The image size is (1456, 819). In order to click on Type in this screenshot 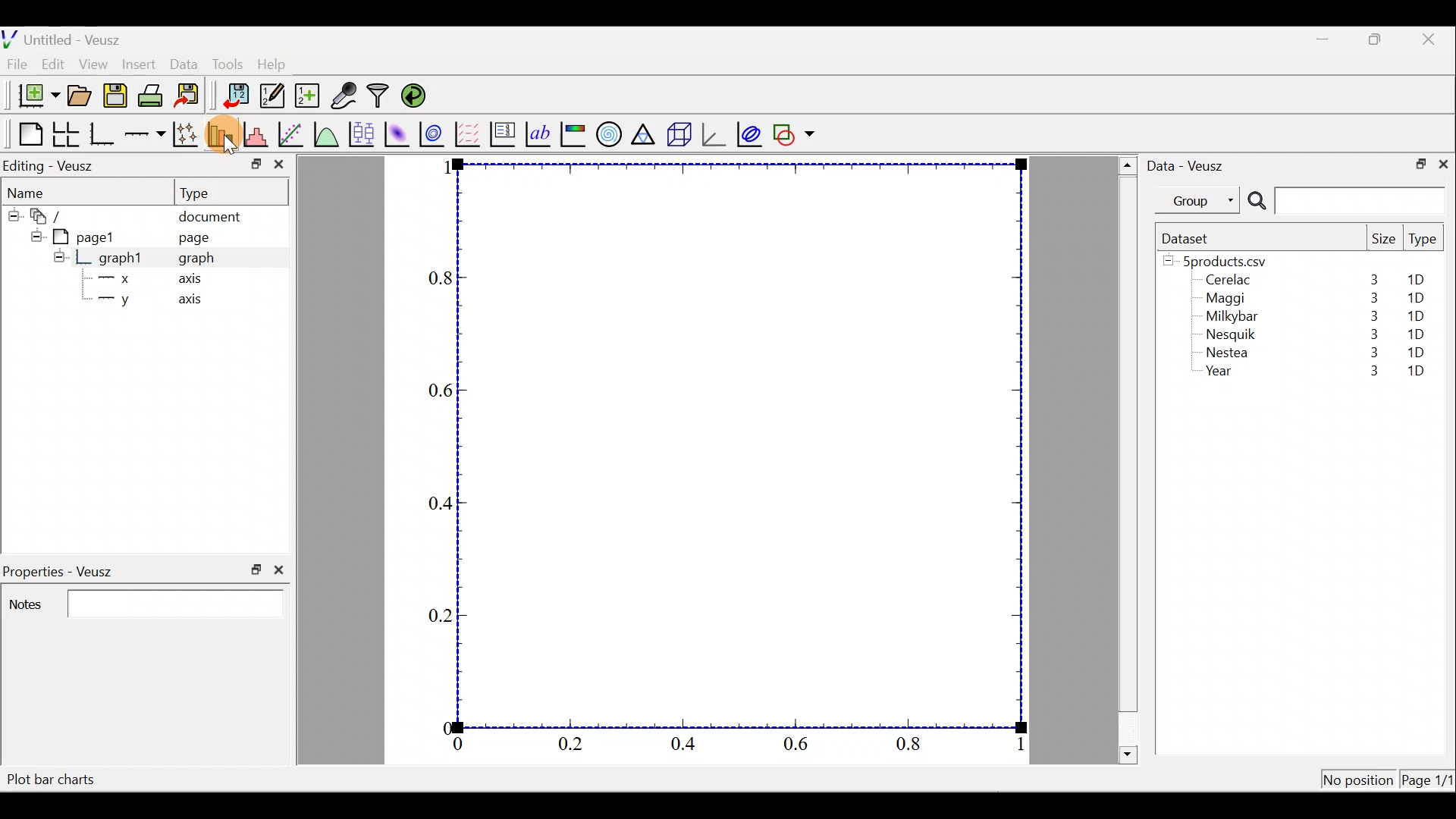, I will do `click(1424, 243)`.